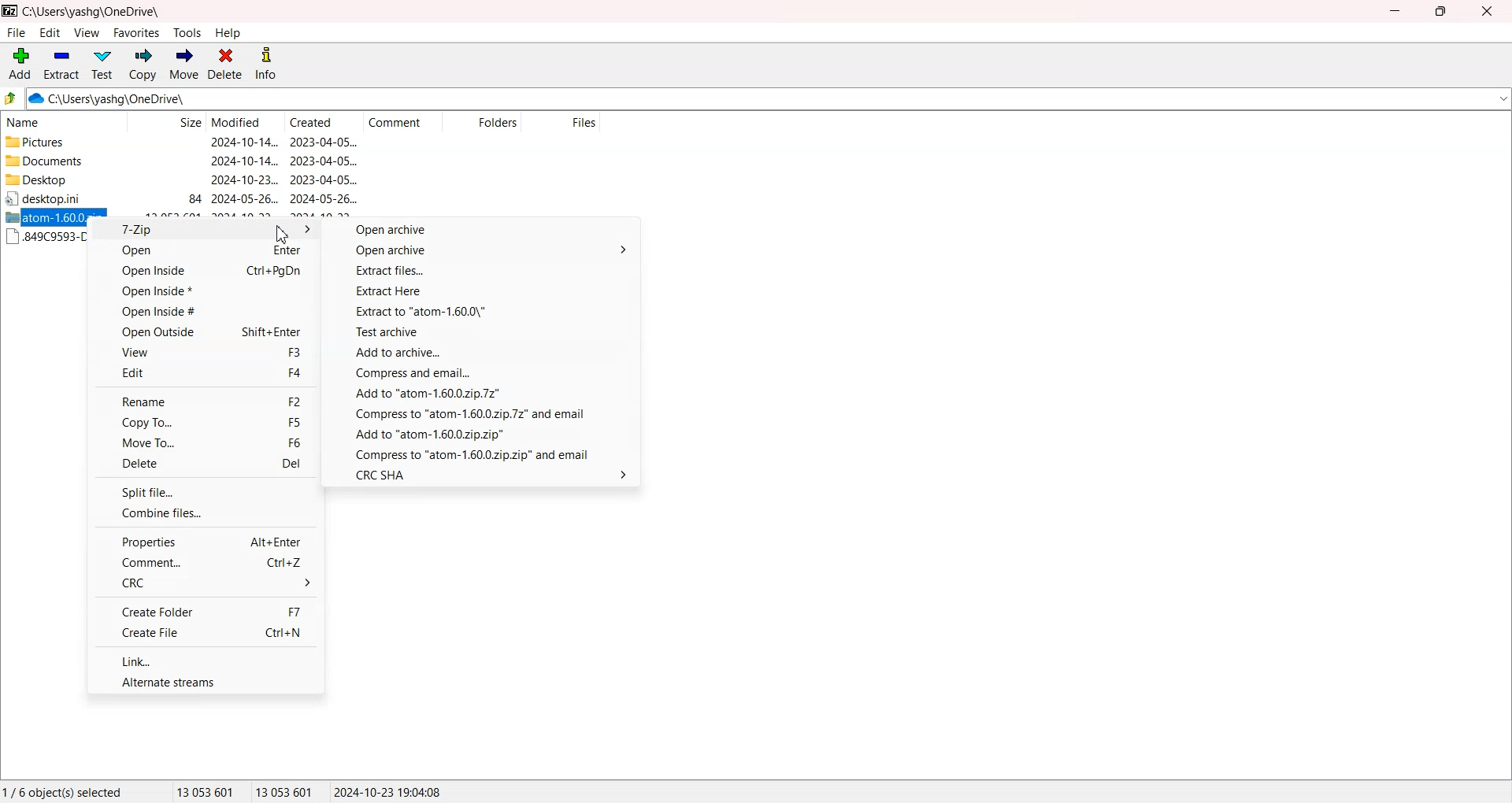 The height and width of the screenshot is (803, 1512). What do you see at coordinates (324, 123) in the screenshot?
I see `Created Date` at bounding box center [324, 123].